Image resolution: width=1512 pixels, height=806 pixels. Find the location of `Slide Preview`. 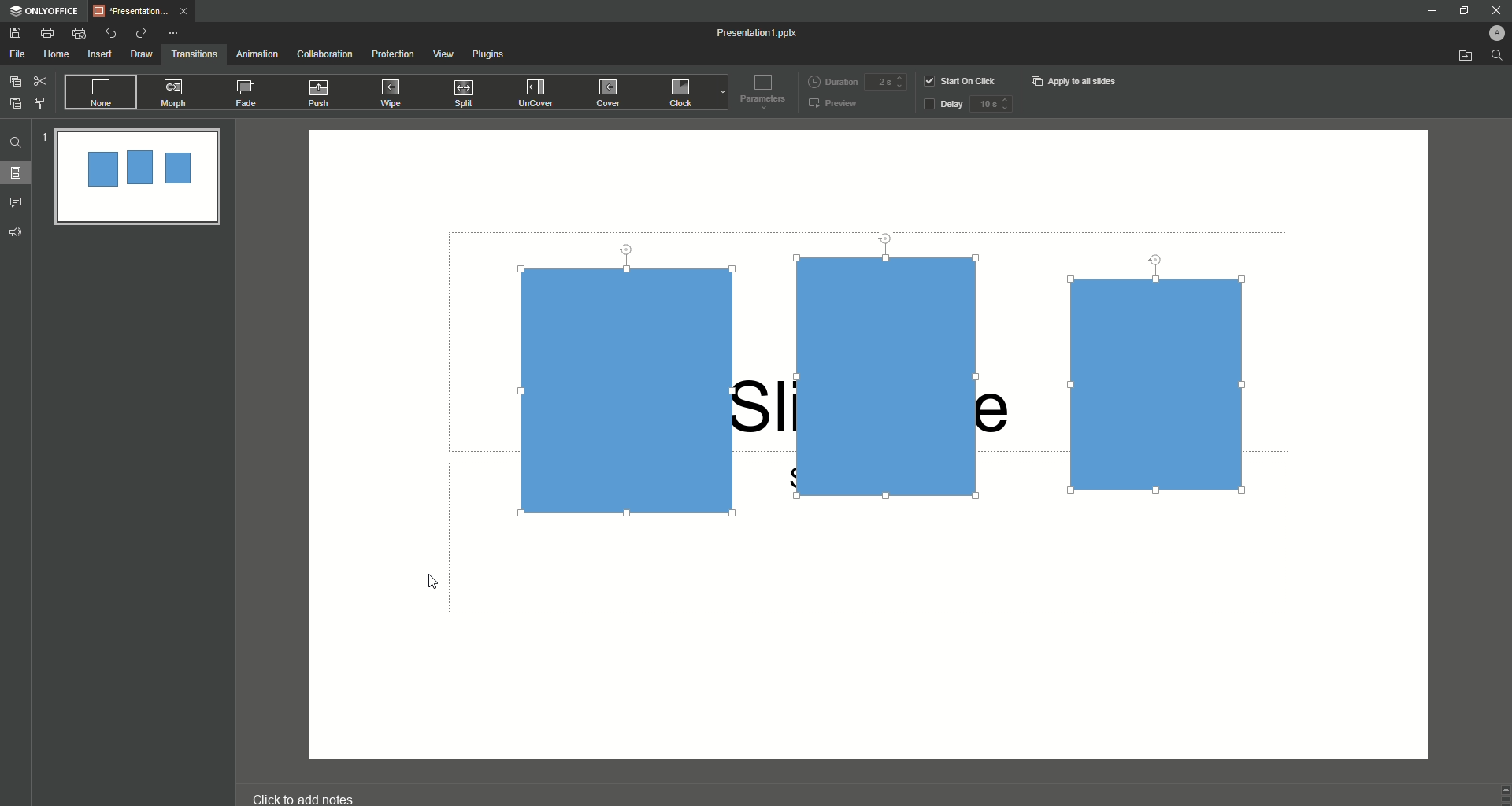

Slide Preview is located at coordinates (136, 179).